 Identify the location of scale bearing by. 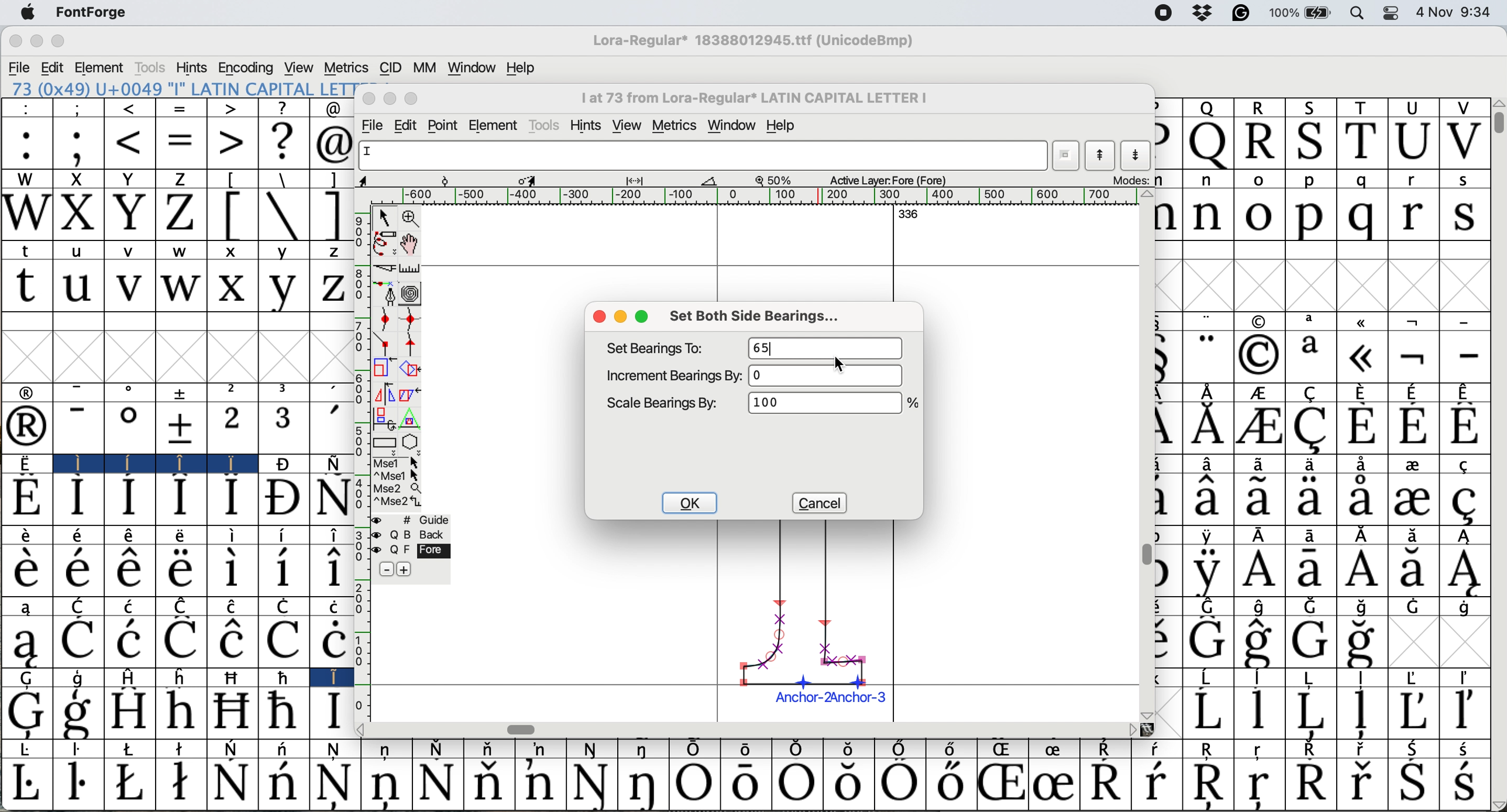
(665, 403).